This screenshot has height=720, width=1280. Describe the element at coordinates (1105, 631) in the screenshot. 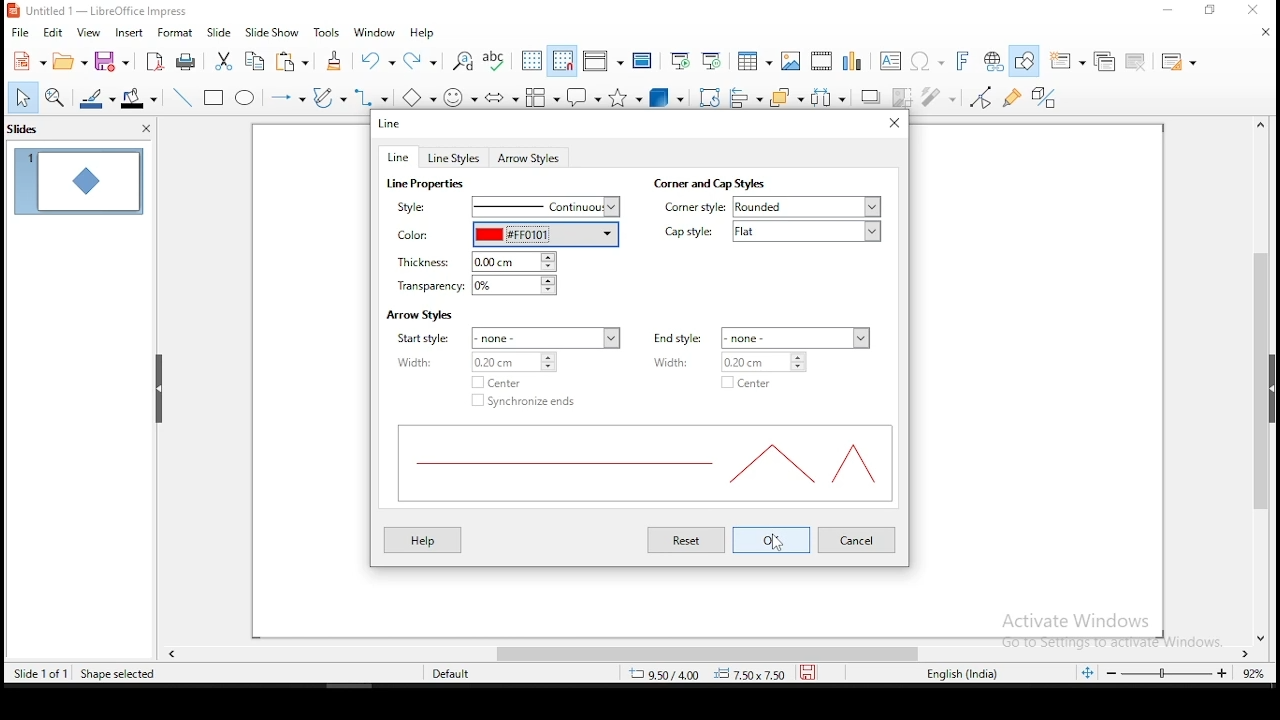

I see `activate windows` at that location.